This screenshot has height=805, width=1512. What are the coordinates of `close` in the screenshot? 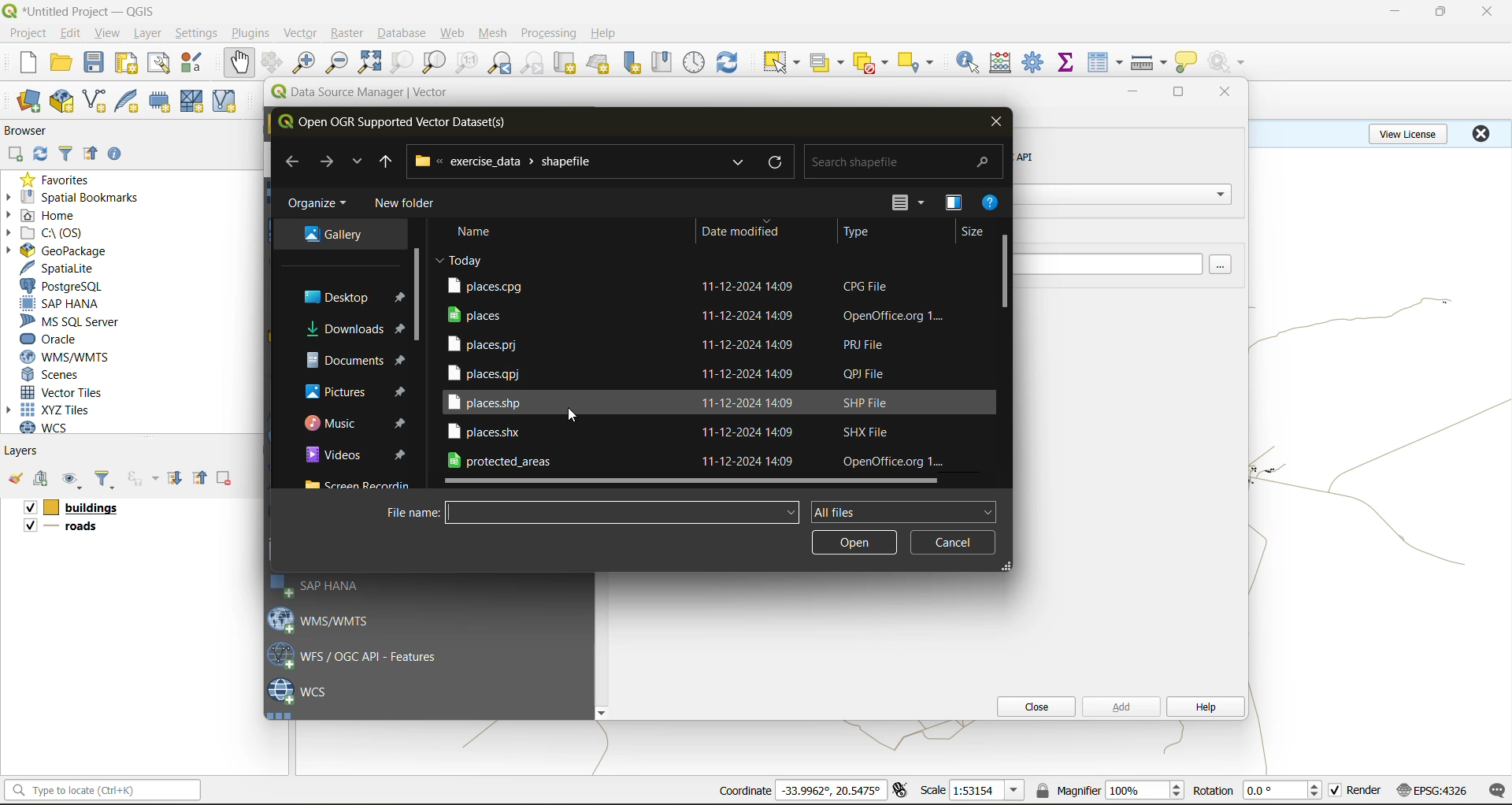 It's located at (995, 121).